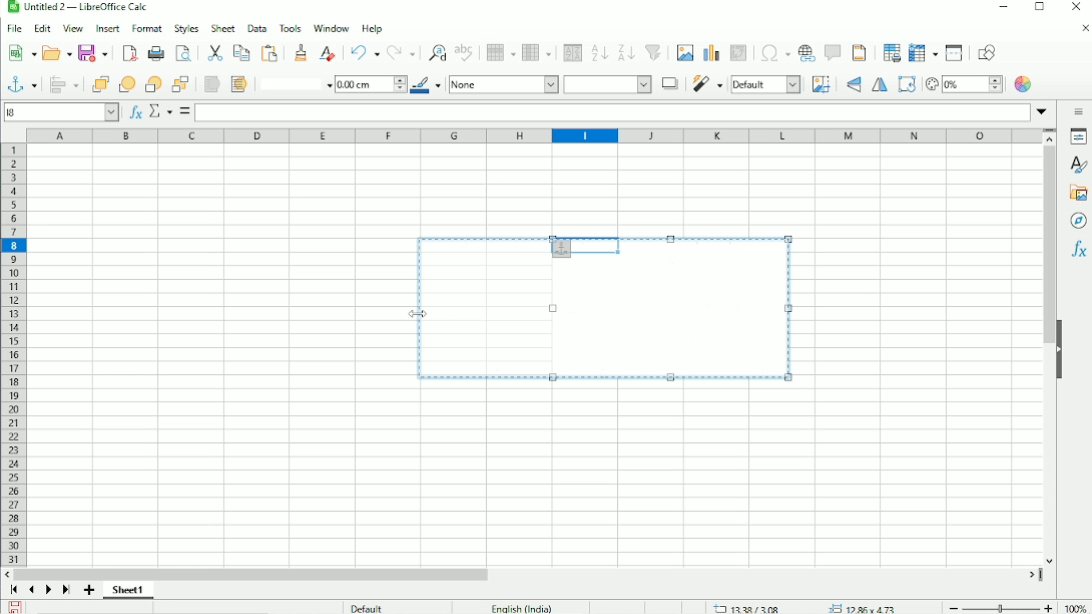  Describe the element at coordinates (1077, 193) in the screenshot. I see `Gallery` at that location.